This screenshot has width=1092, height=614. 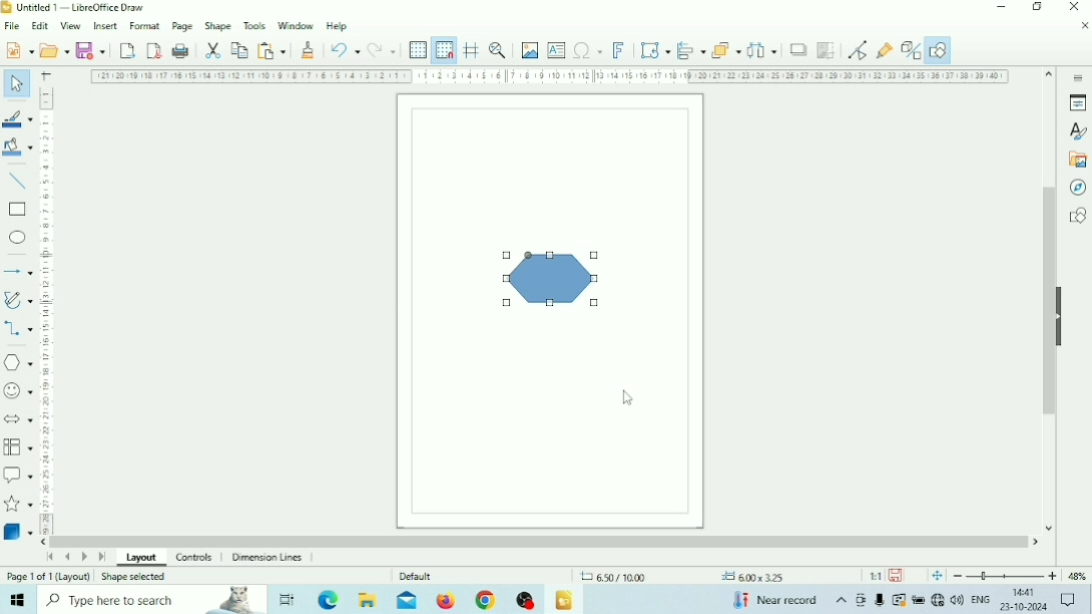 I want to click on Layout, so click(x=142, y=560).